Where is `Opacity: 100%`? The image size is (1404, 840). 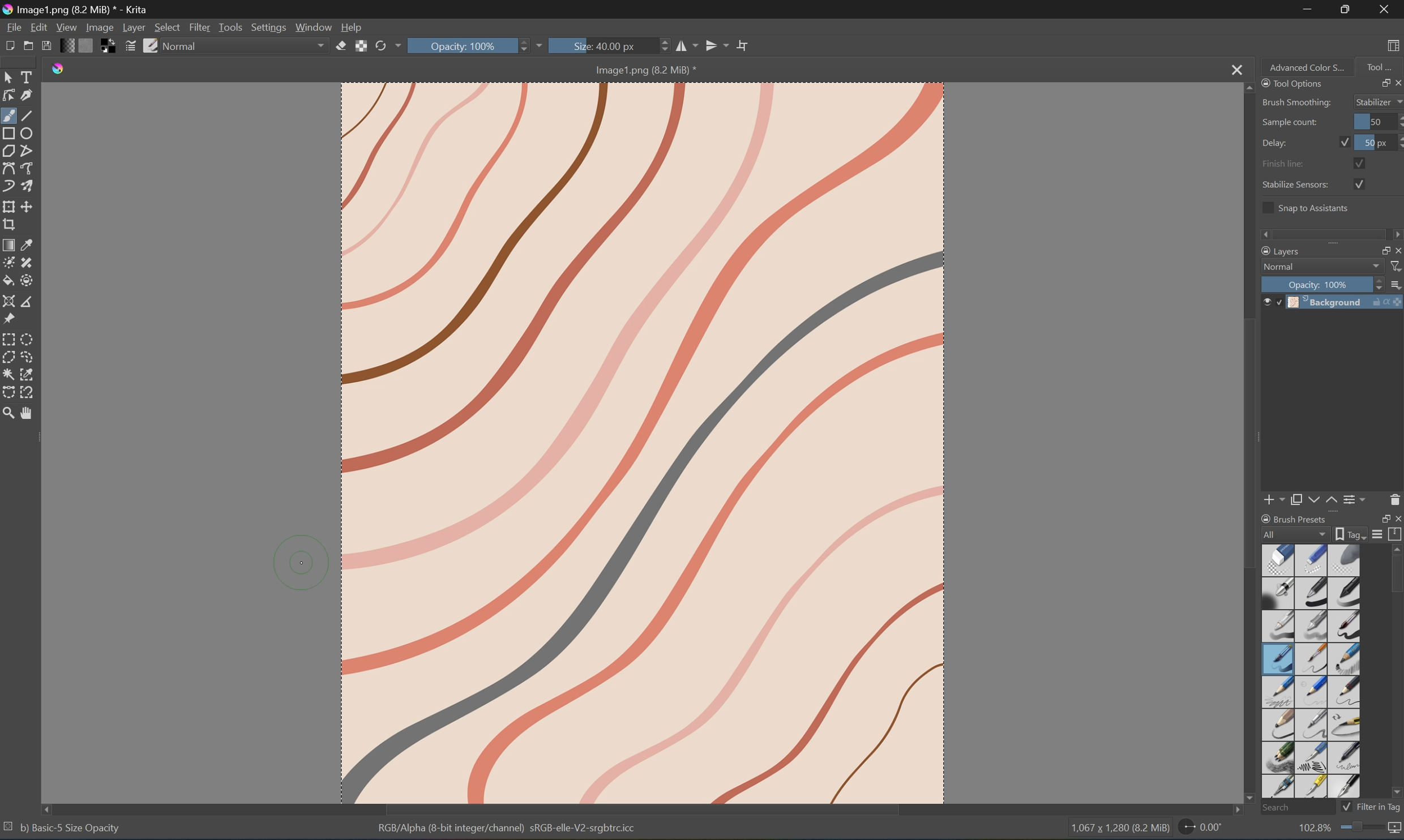 Opacity: 100% is located at coordinates (1319, 284).